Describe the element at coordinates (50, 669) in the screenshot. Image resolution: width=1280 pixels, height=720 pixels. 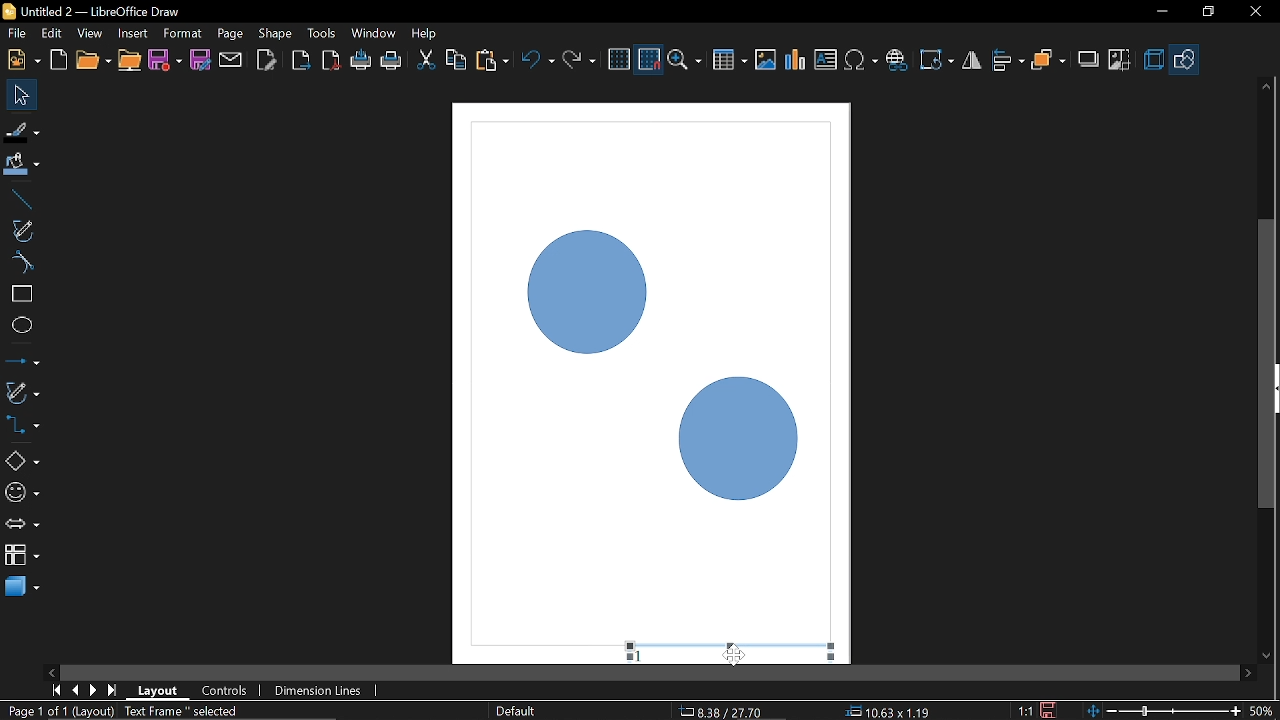
I see `Move left` at that location.